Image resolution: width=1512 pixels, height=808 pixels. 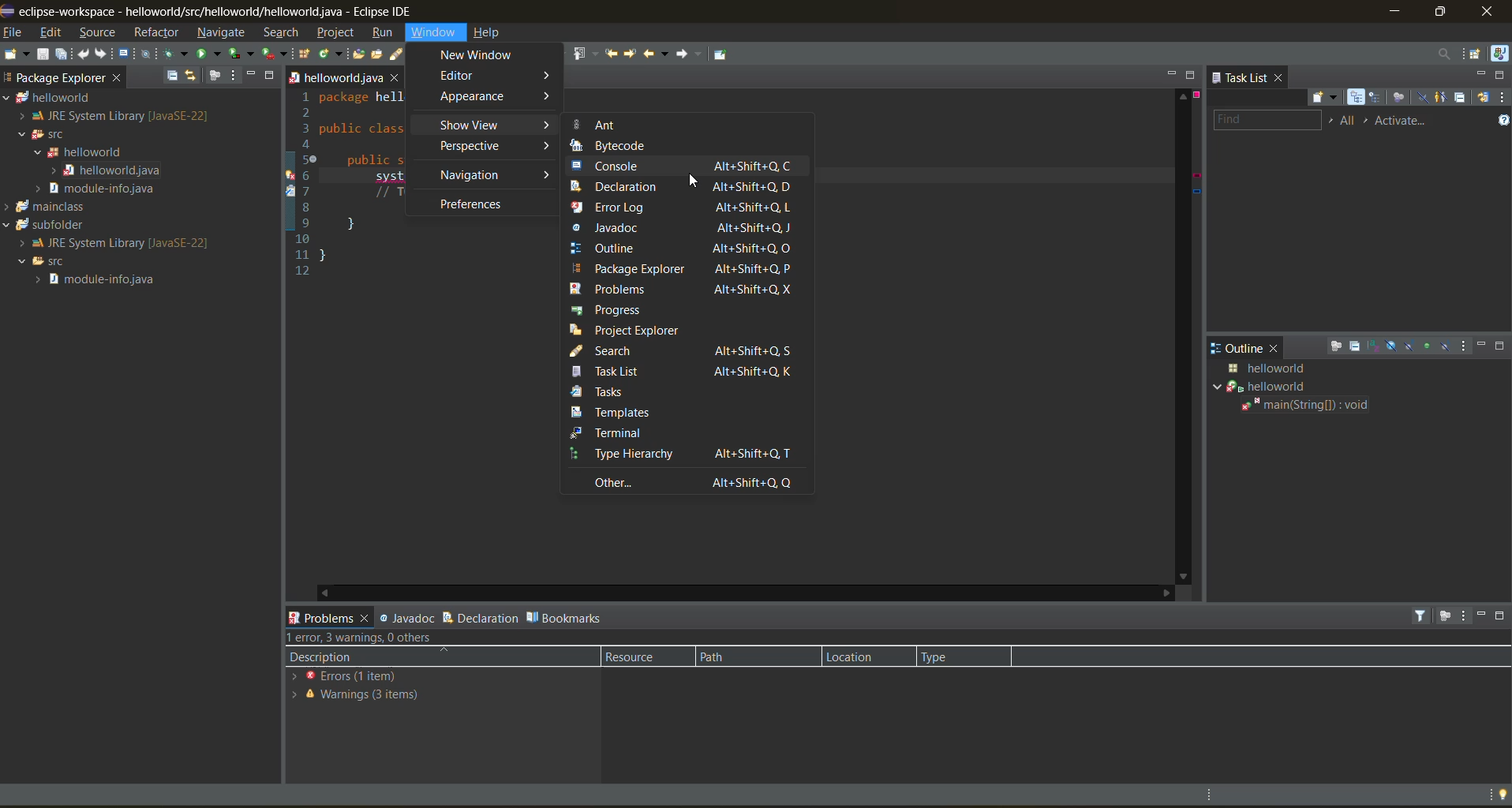 What do you see at coordinates (1481, 73) in the screenshot?
I see `minimize` at bounding box center [1481, 73].